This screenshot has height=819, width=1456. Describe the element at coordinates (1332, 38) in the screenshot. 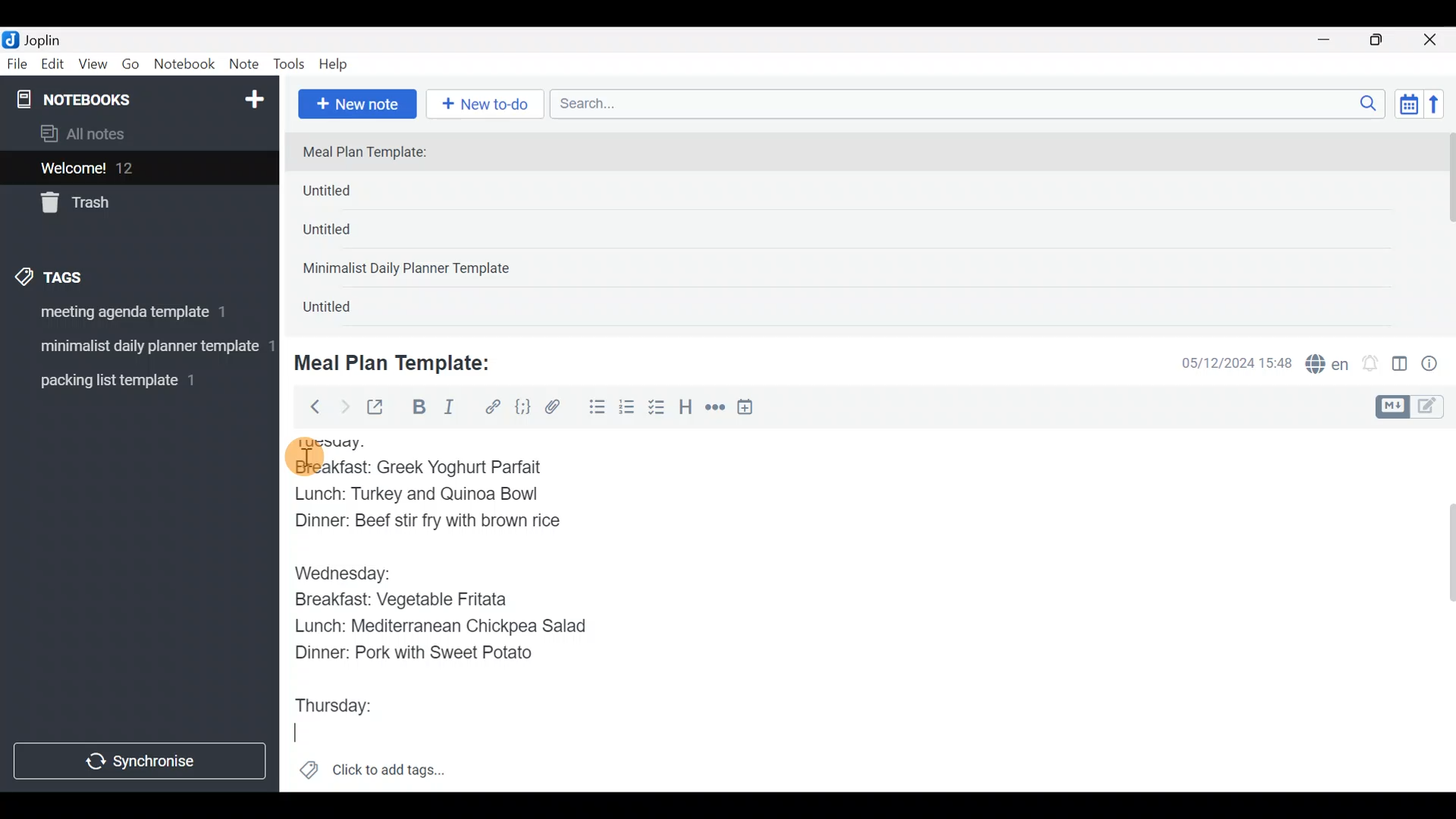

I see `Minimize` at that location.